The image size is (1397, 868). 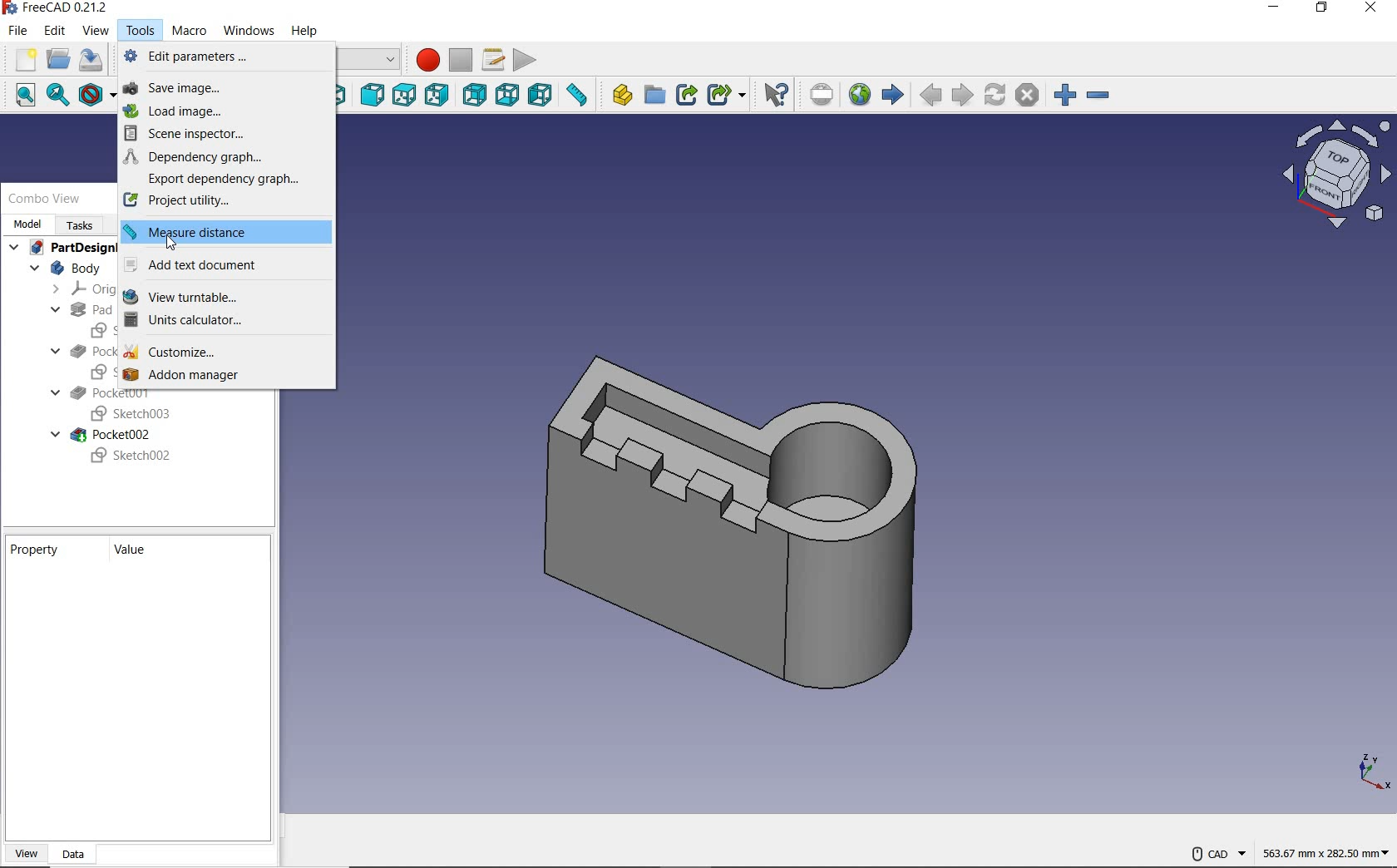 What do you see at coordinates (98, 371) in the screenshot?
I see `SKETCH001` at bounding box center [98, 371].